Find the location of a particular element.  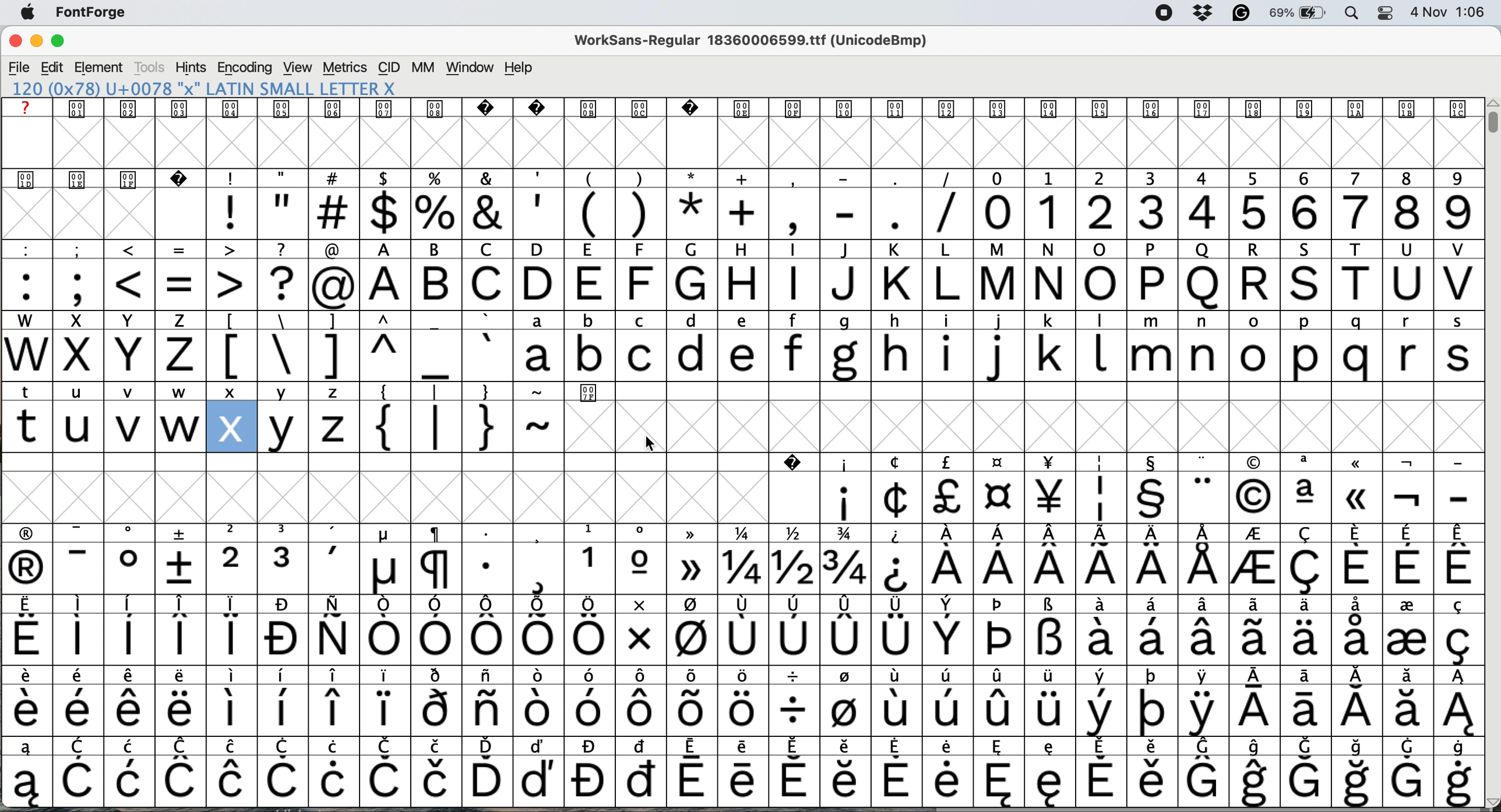

hints is located at coordinates (191, 69).